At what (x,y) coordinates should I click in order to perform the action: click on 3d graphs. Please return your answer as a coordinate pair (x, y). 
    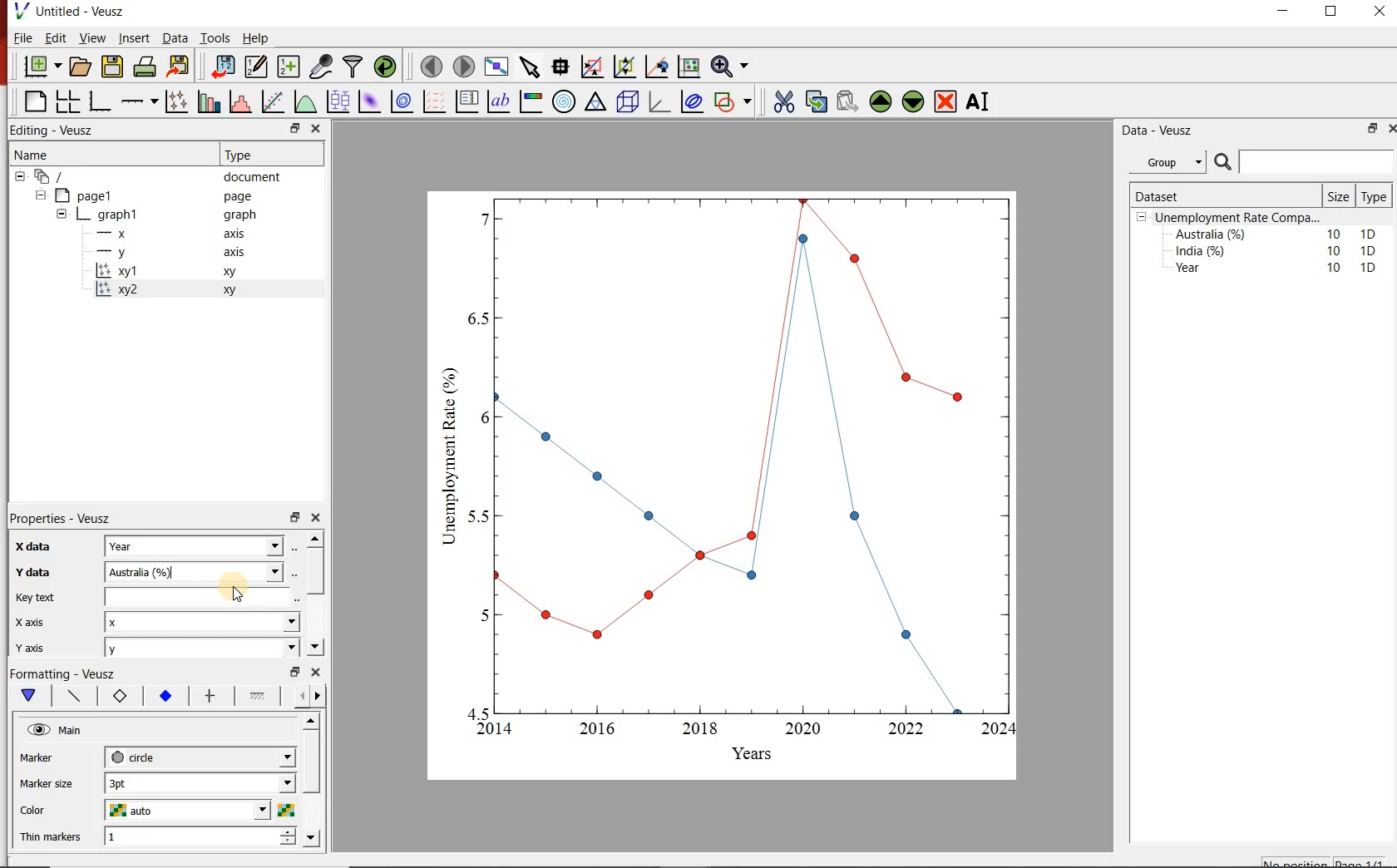
    Looking at the image, I should click on (659, 101).